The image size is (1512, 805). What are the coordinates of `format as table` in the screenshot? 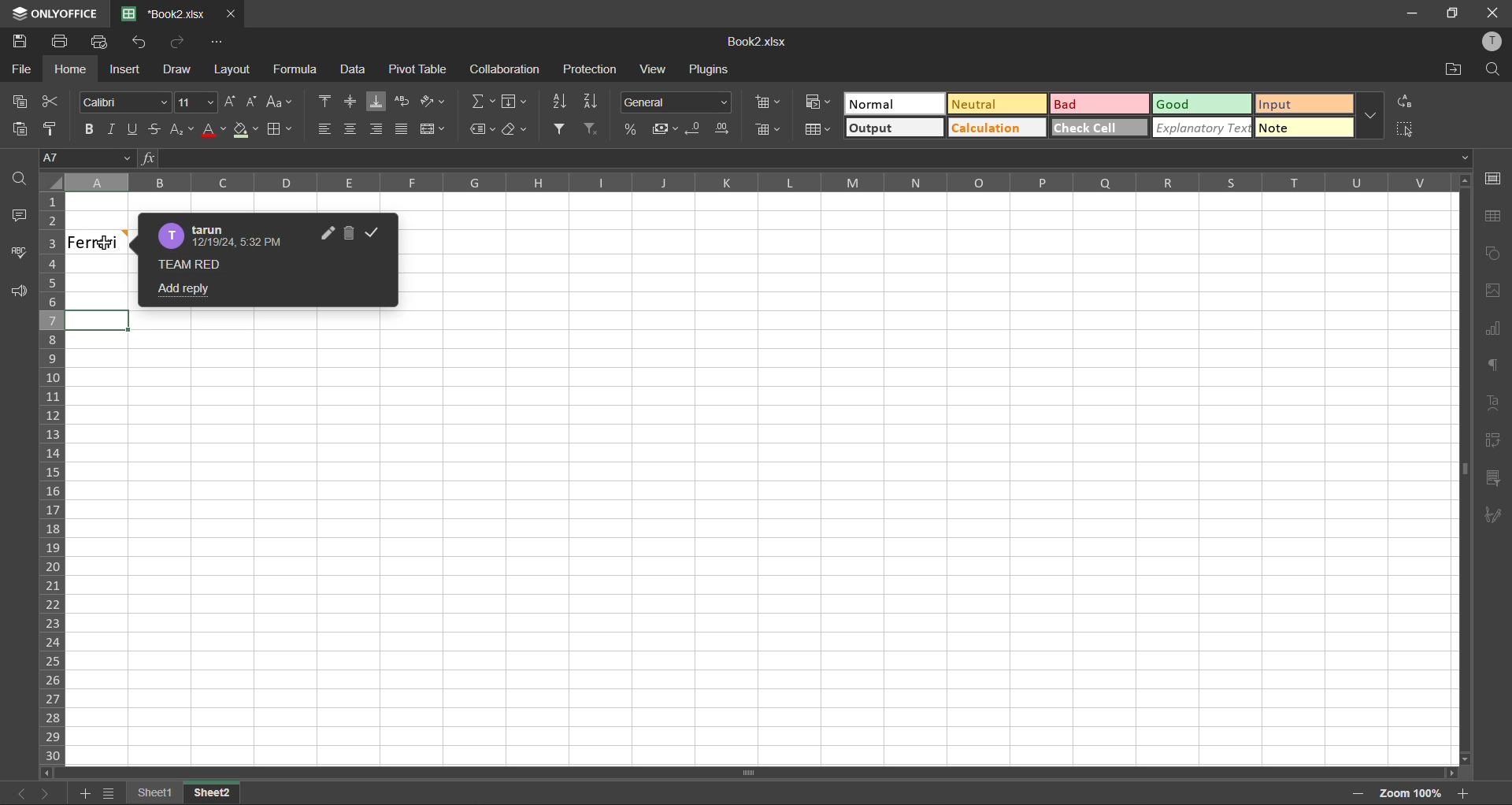 It's located at (818, 130).